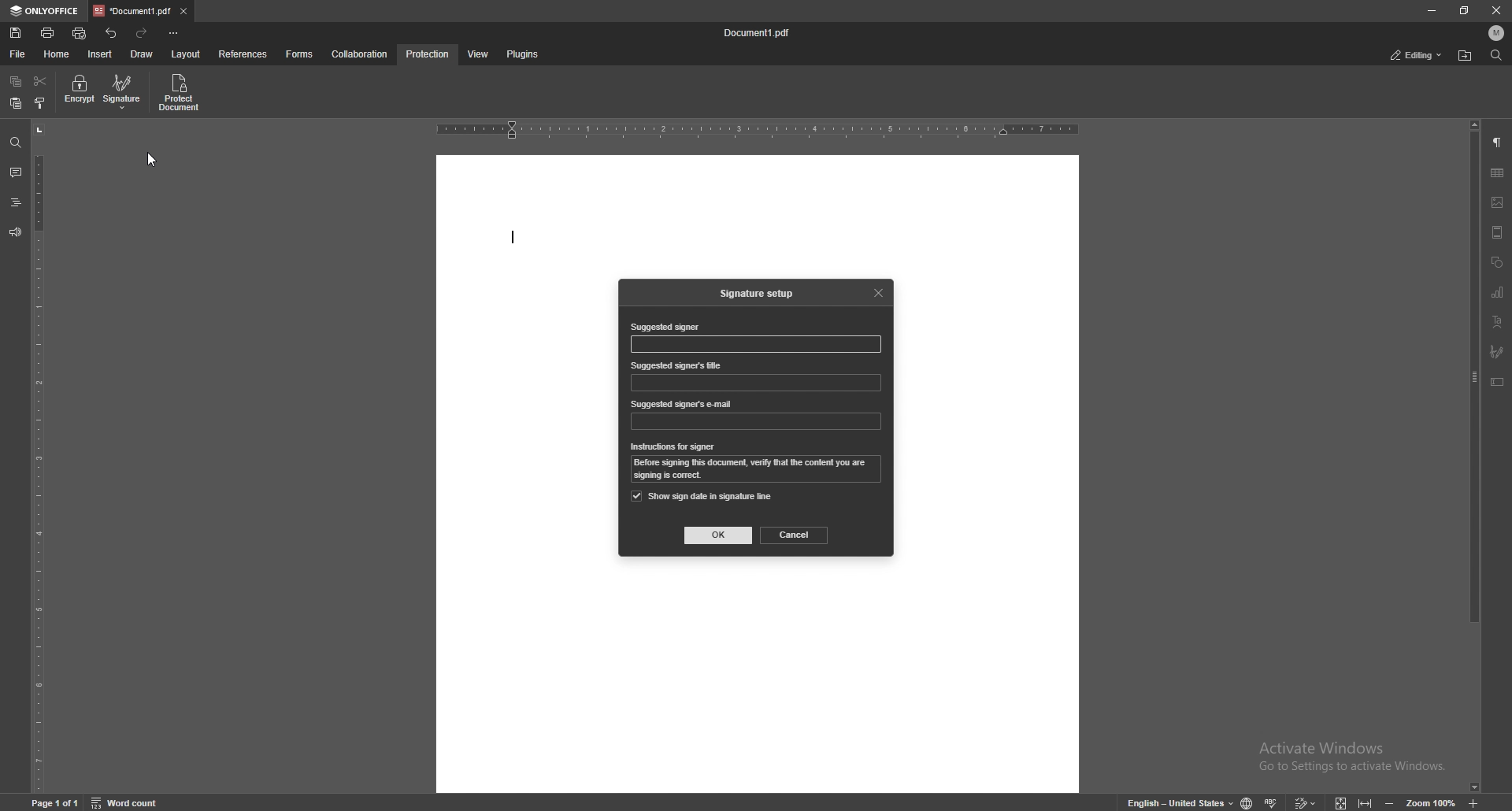 The width and height of the screenshot is (1512, 811). I want to click on collaboration, so click(361, 54).